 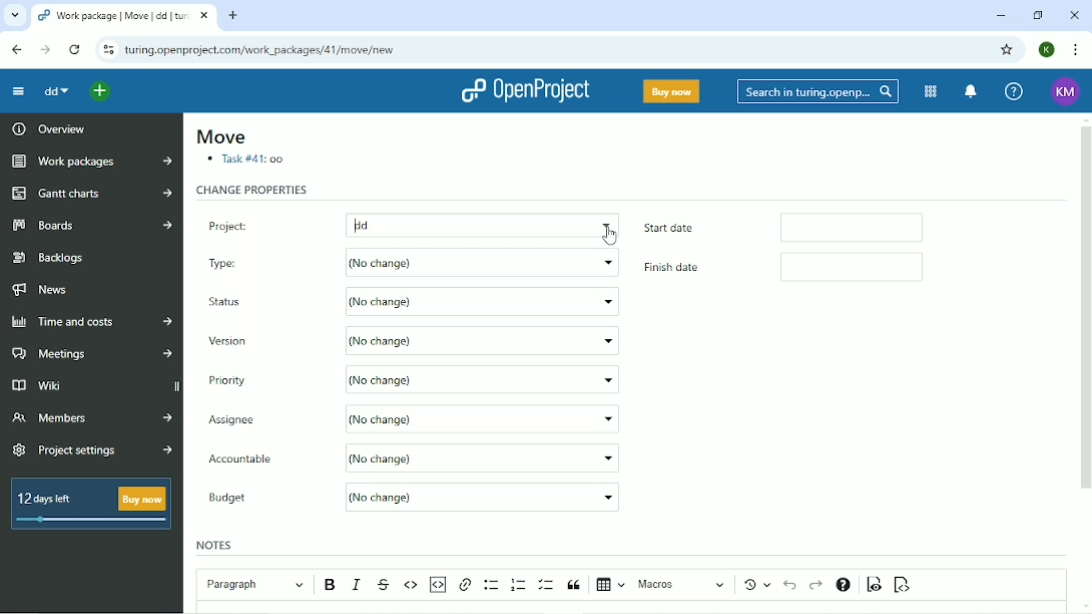 I want to click on Project settings, so click(x=92, y=451).